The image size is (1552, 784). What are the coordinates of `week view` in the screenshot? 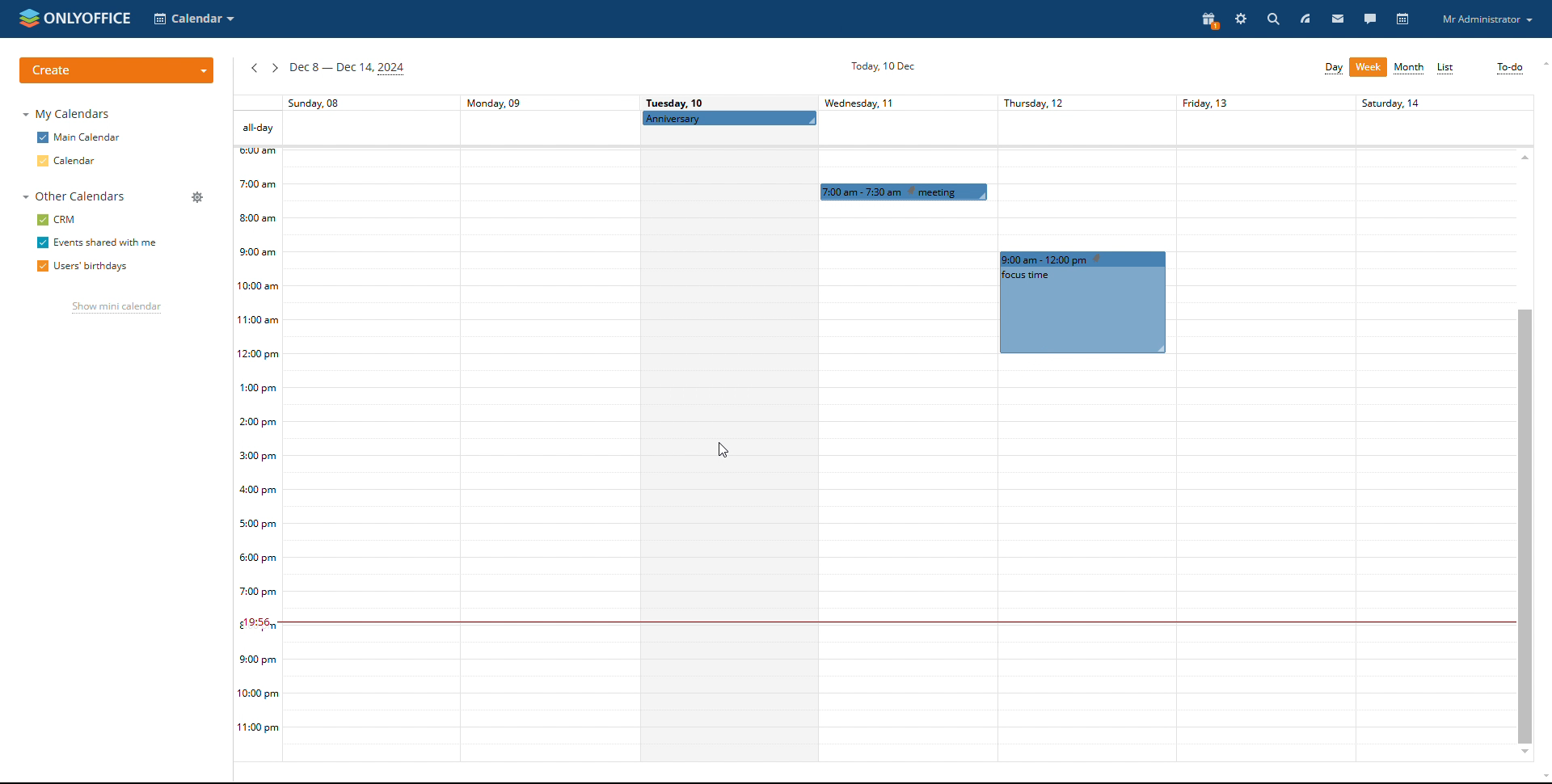 It's located at (1369, 67).